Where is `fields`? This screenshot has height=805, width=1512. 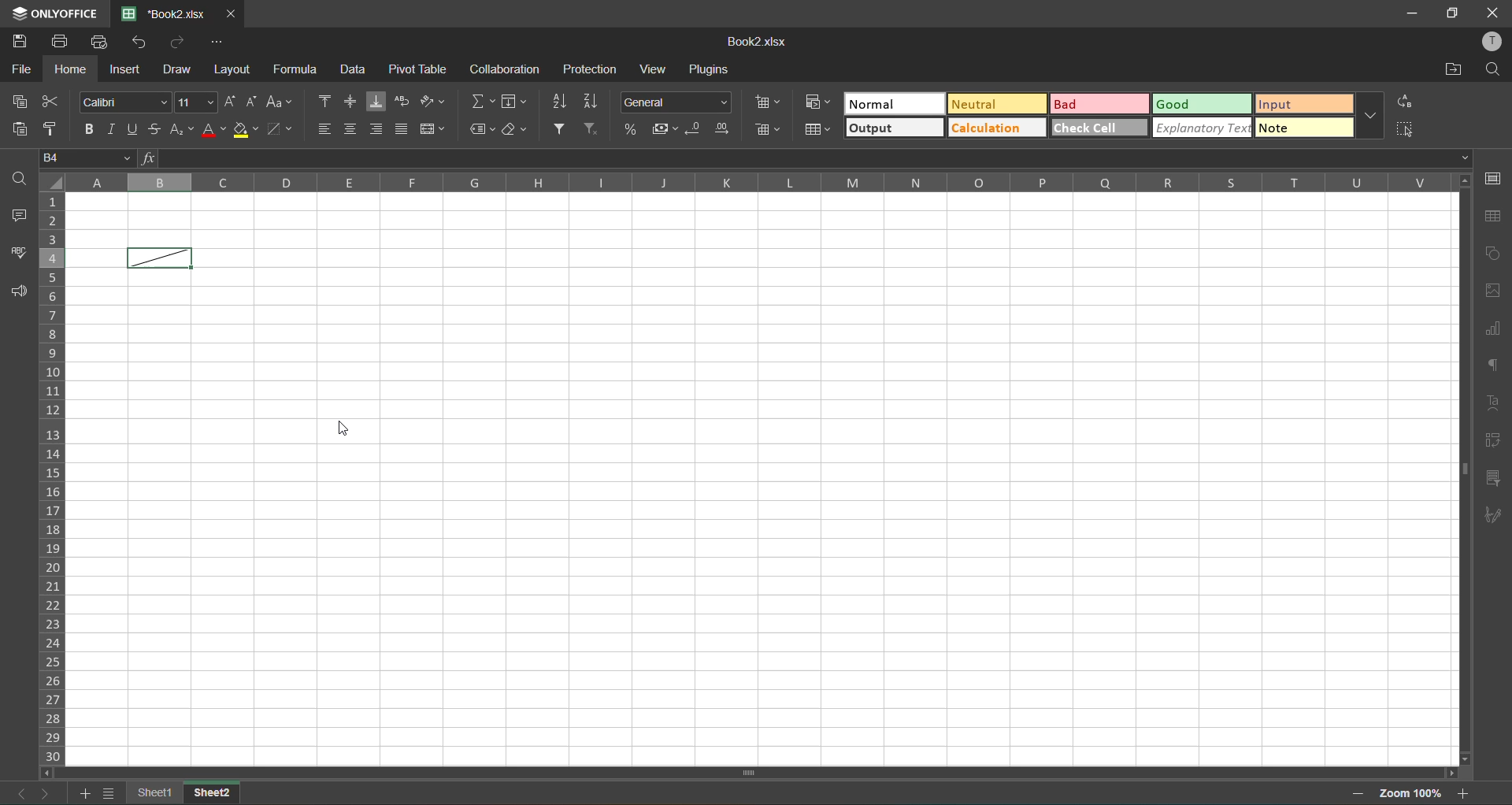
fields is located at coordinates (515, 101).